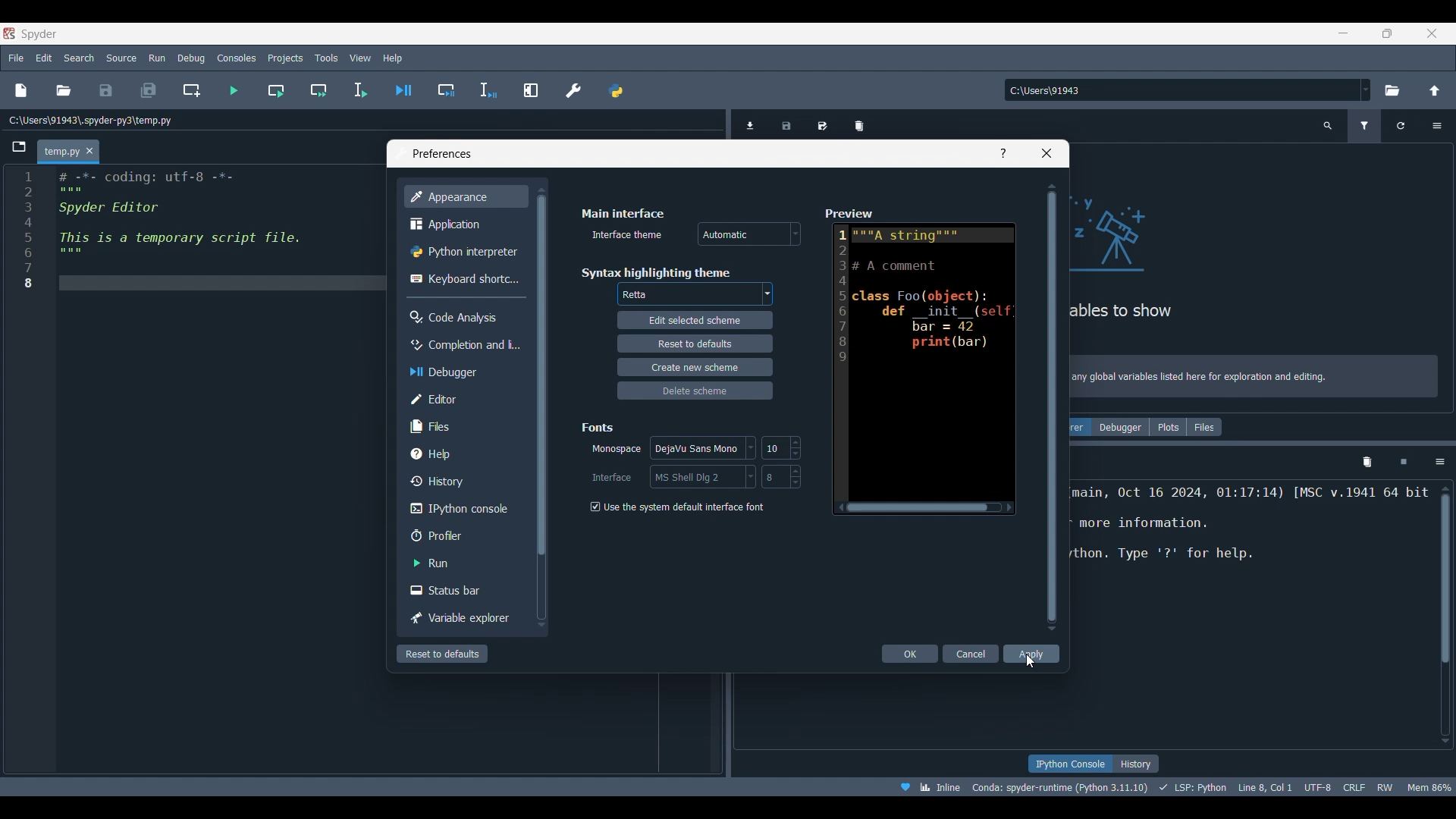 This screenshot has width=1456, height=819. I want to click on Import data, so click(753, 124).